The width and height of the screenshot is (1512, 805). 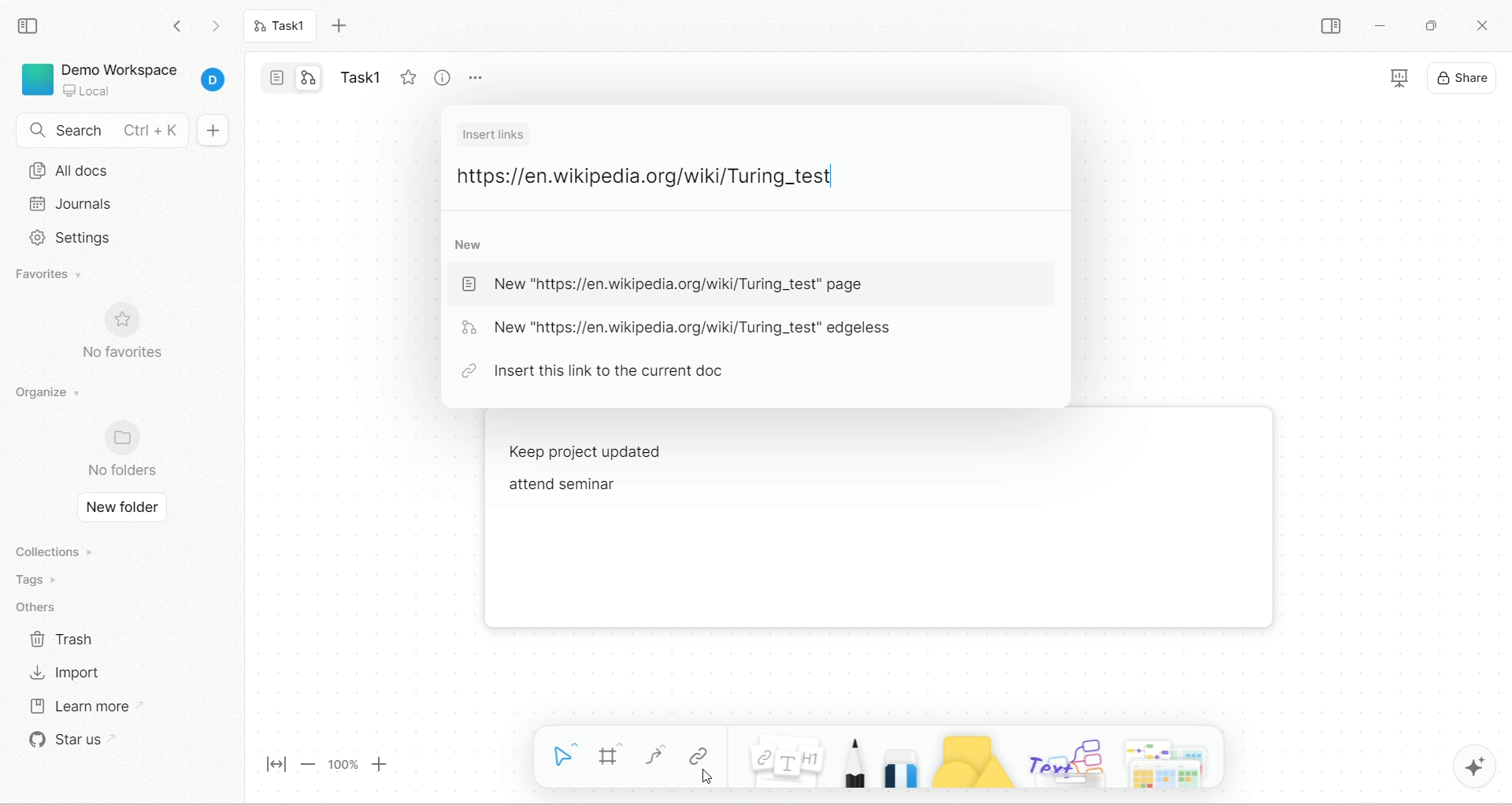 I want to click on URL for page mode - New "https://en.wikipedia.org/wiki/Turing_test" page, so click(x=672, y=284).